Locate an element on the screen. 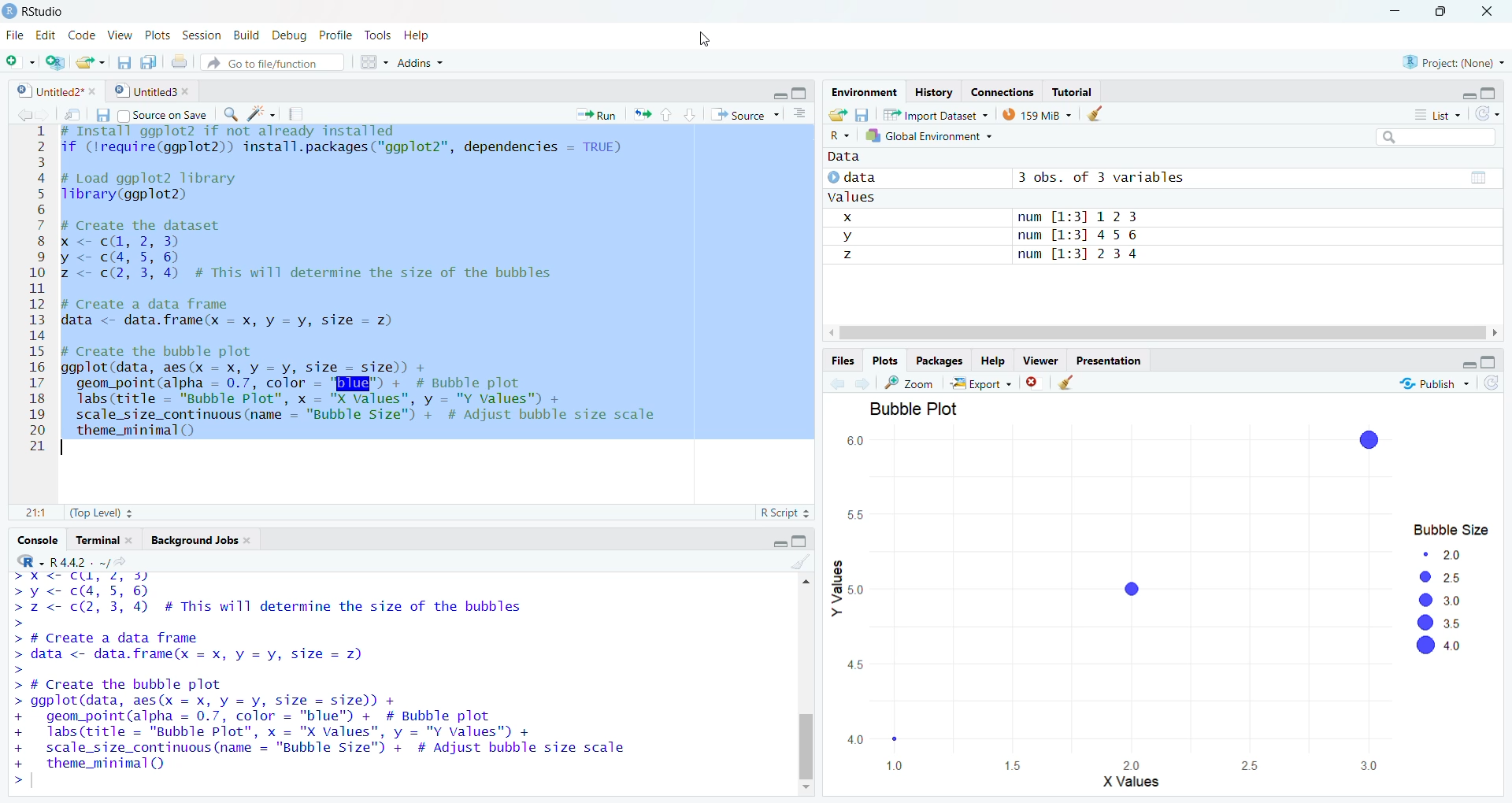 Image resolution: width=1512 pixels, height=803 pixels. Packages is located at coordinates (942, 361).